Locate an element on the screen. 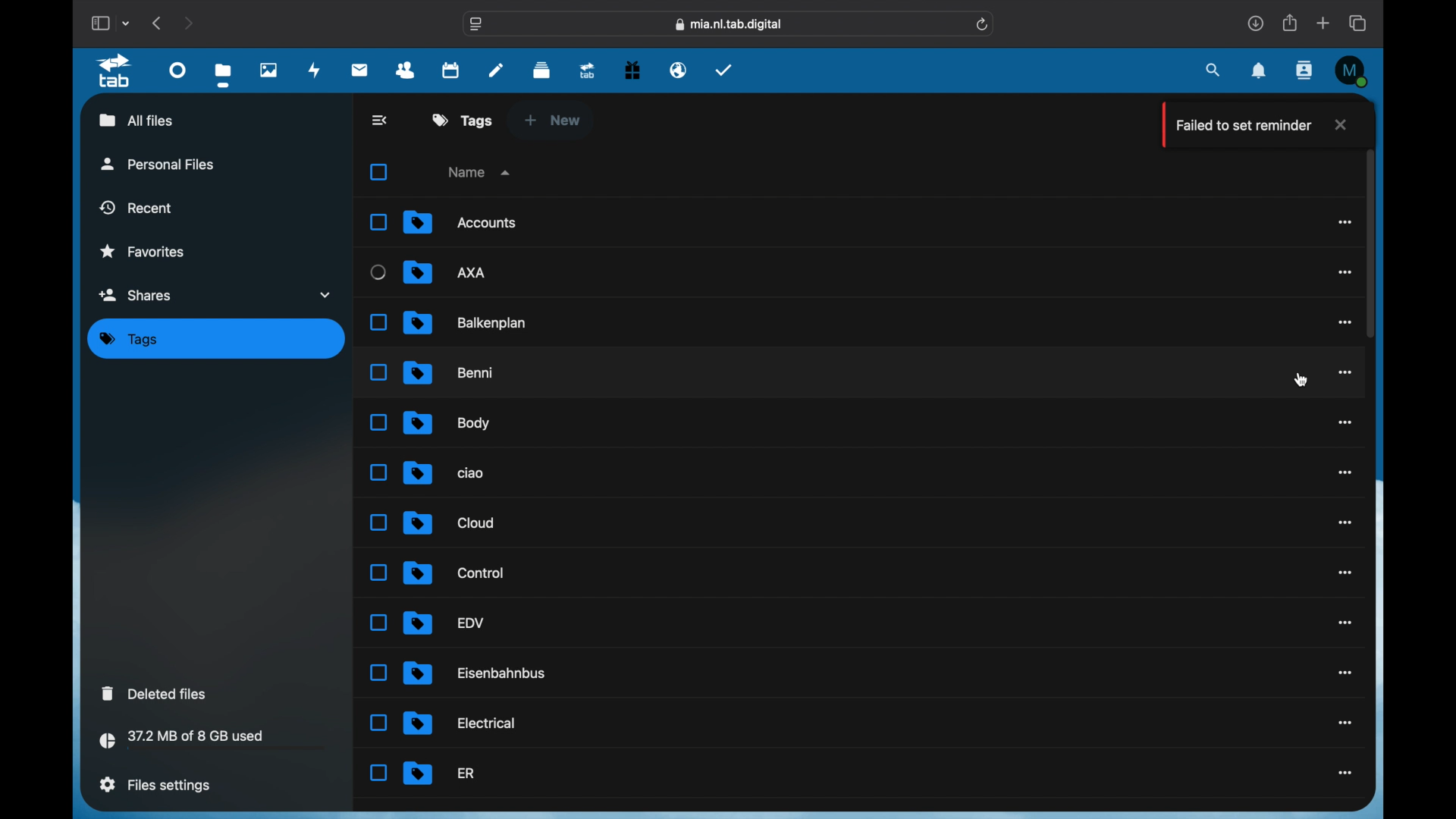 The height and width of the screenshot is (819, 1456). mail is located at coordinates (360, 69).